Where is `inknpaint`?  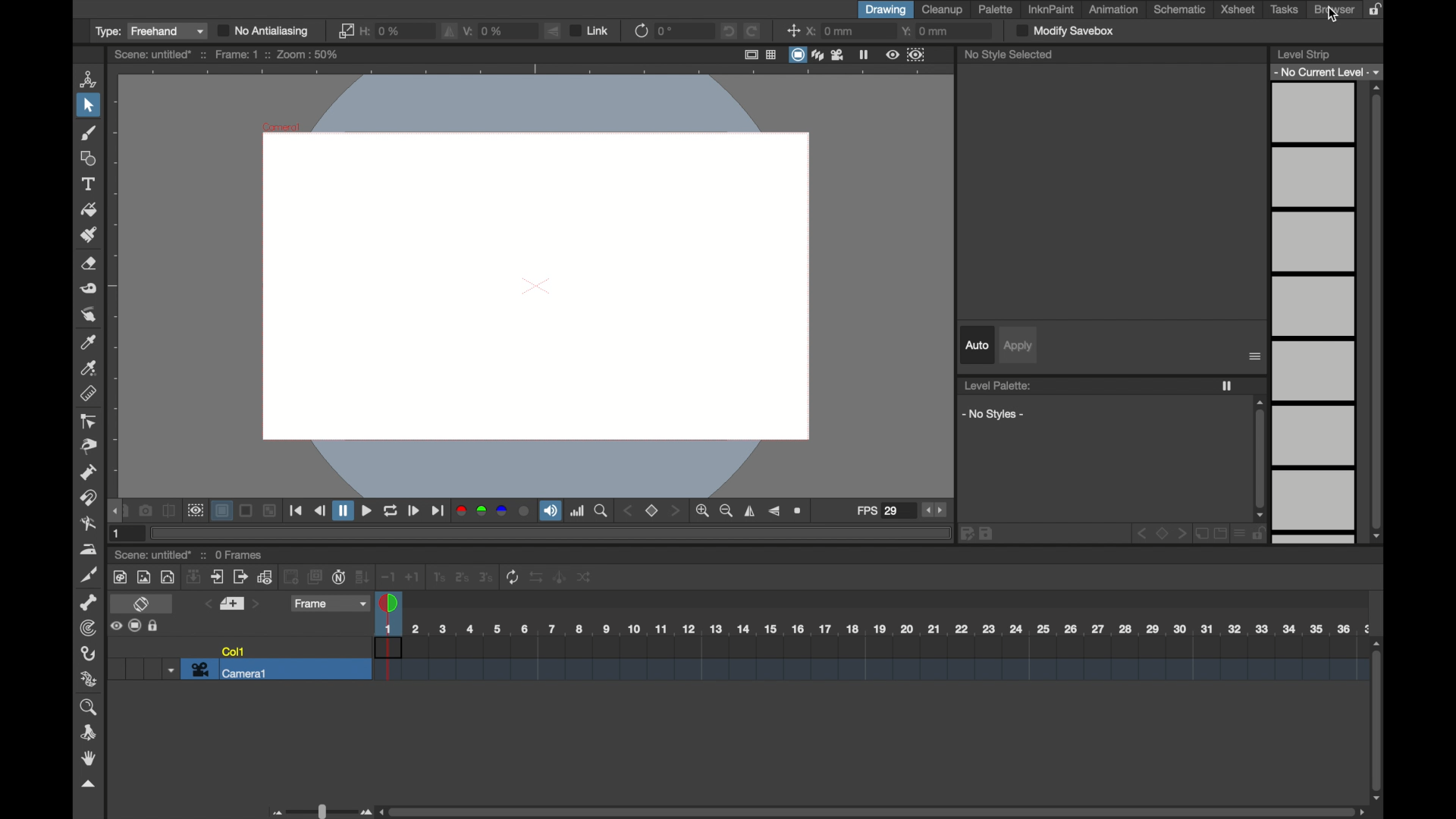
inknpaint is located at coordinates (1050, 10).